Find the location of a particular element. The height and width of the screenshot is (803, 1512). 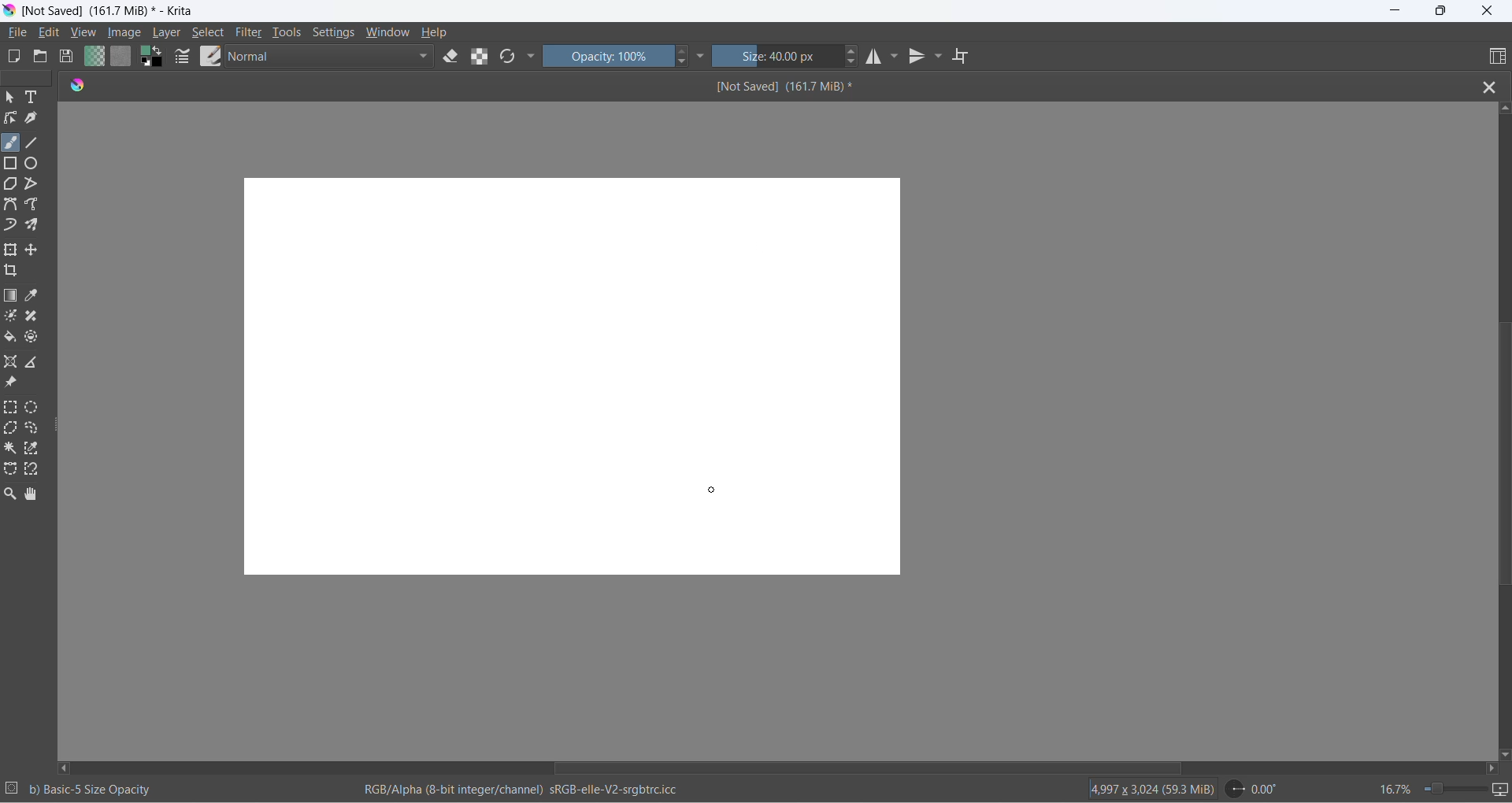

reload the original presets is located at coordinates (510, 58).